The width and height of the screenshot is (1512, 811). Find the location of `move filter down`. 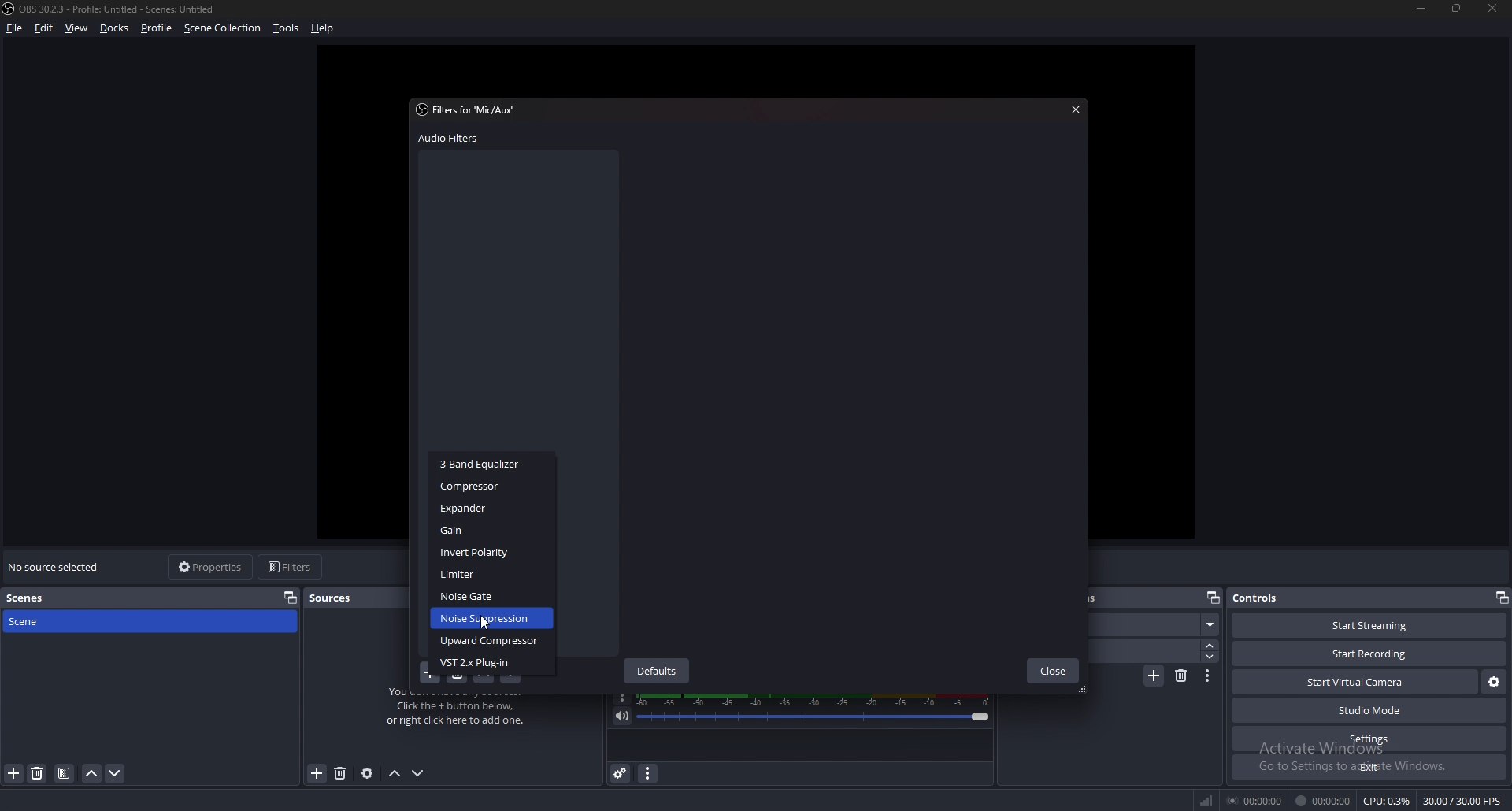

move filter down is located at coordinates (513, 678).